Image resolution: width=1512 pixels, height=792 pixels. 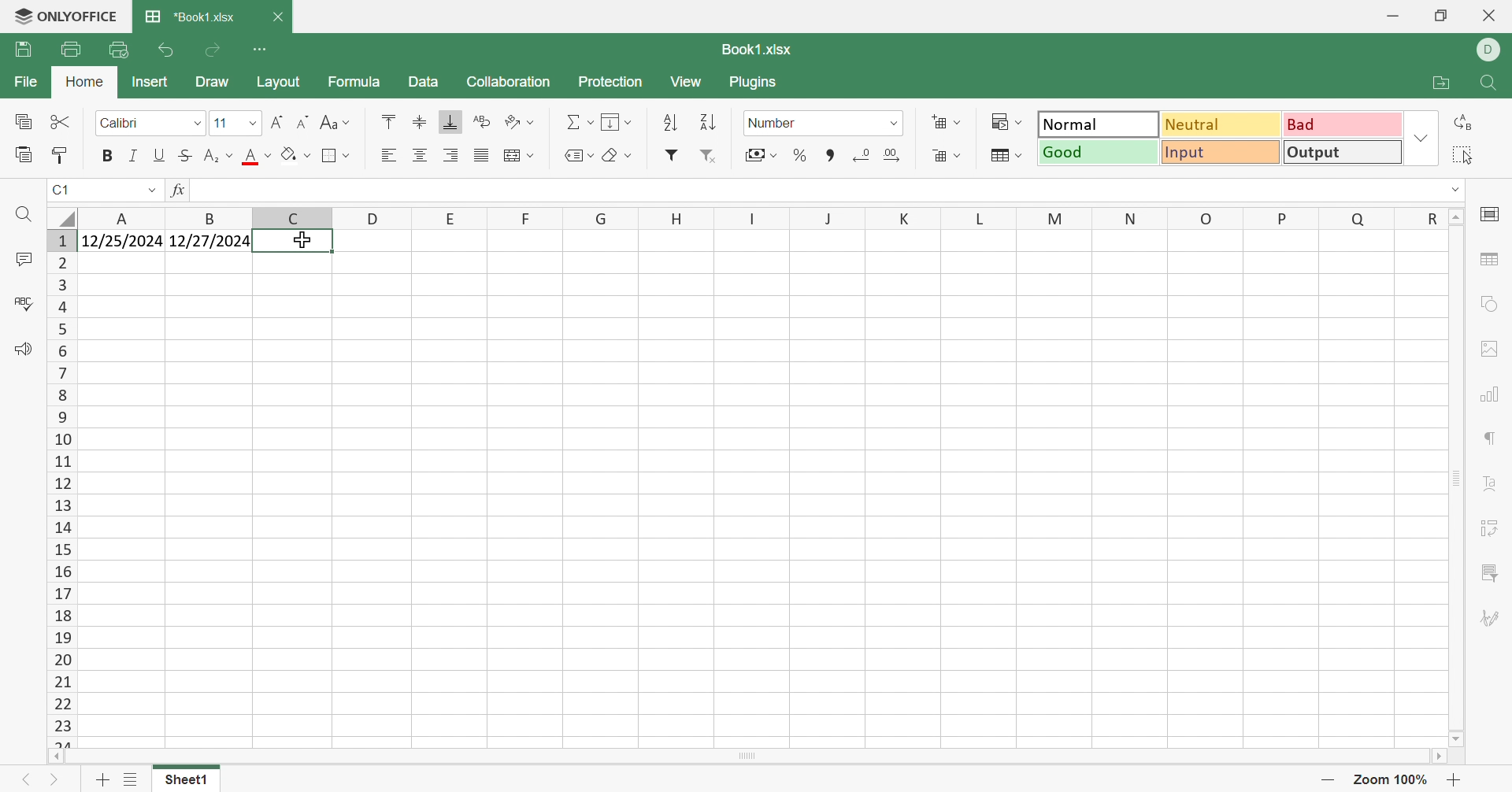 What do you see at coordinates (480, 120) in the screenshot?
I see `Wrap Text` at bounding box center [480, 120].